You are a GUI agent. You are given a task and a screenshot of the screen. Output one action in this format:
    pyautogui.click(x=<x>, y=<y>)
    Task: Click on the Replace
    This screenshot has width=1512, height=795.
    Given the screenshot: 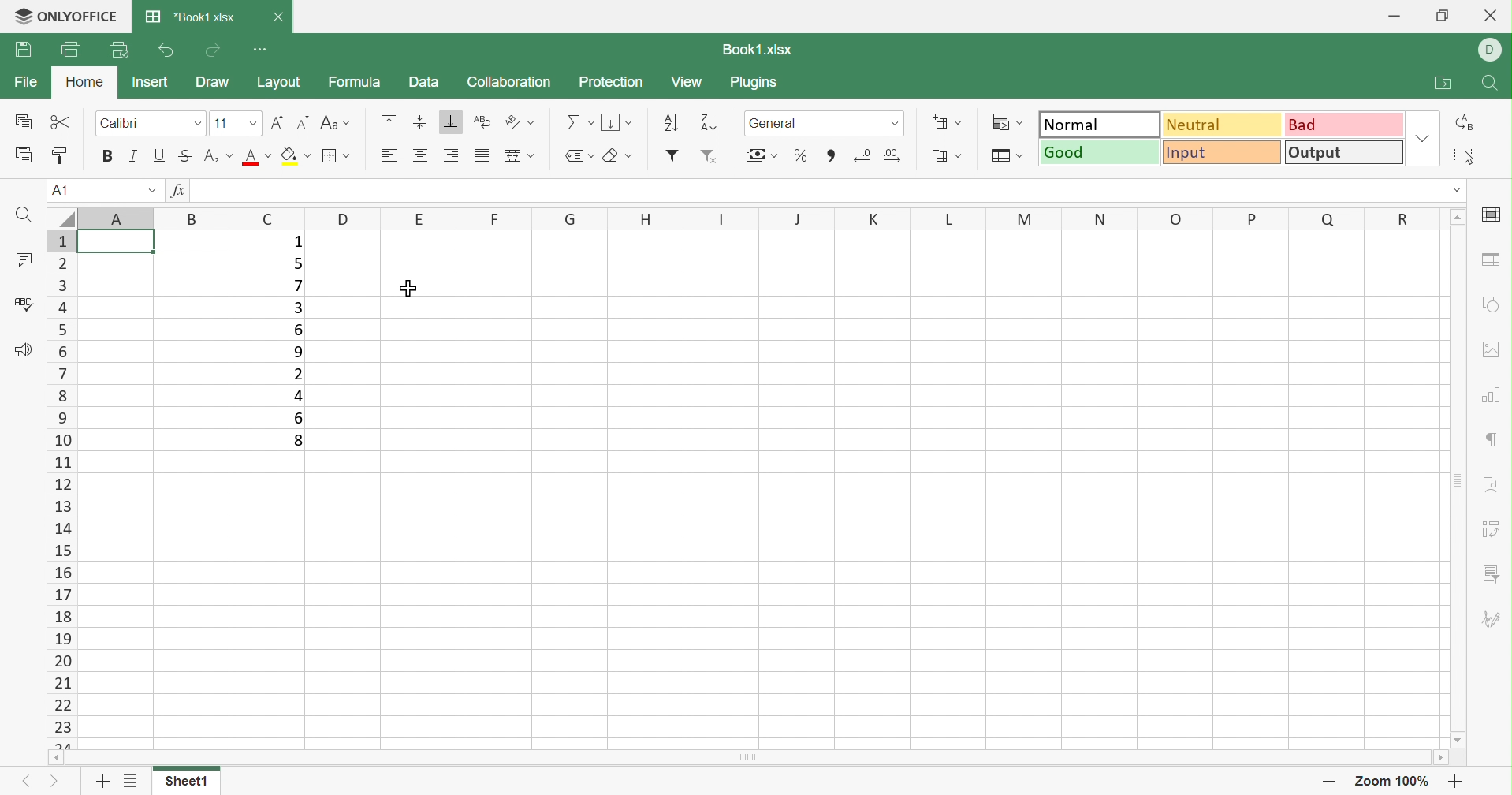 What is the action you would take?
    pyautogui.click(x=1463, y=122)
    